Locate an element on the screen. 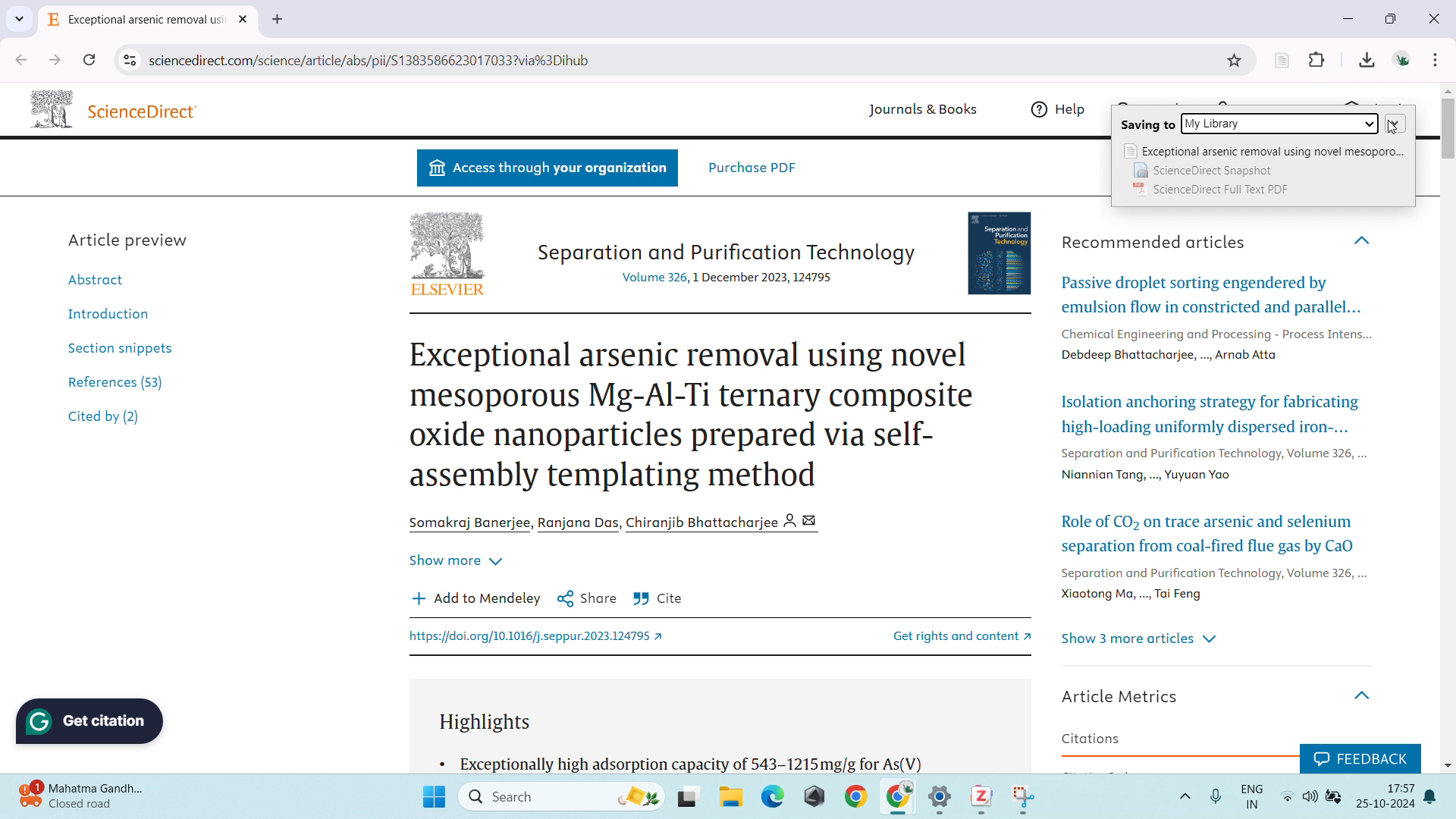 This screenshot has height=819, width=1456. url space is located at coordinates (682, 60).